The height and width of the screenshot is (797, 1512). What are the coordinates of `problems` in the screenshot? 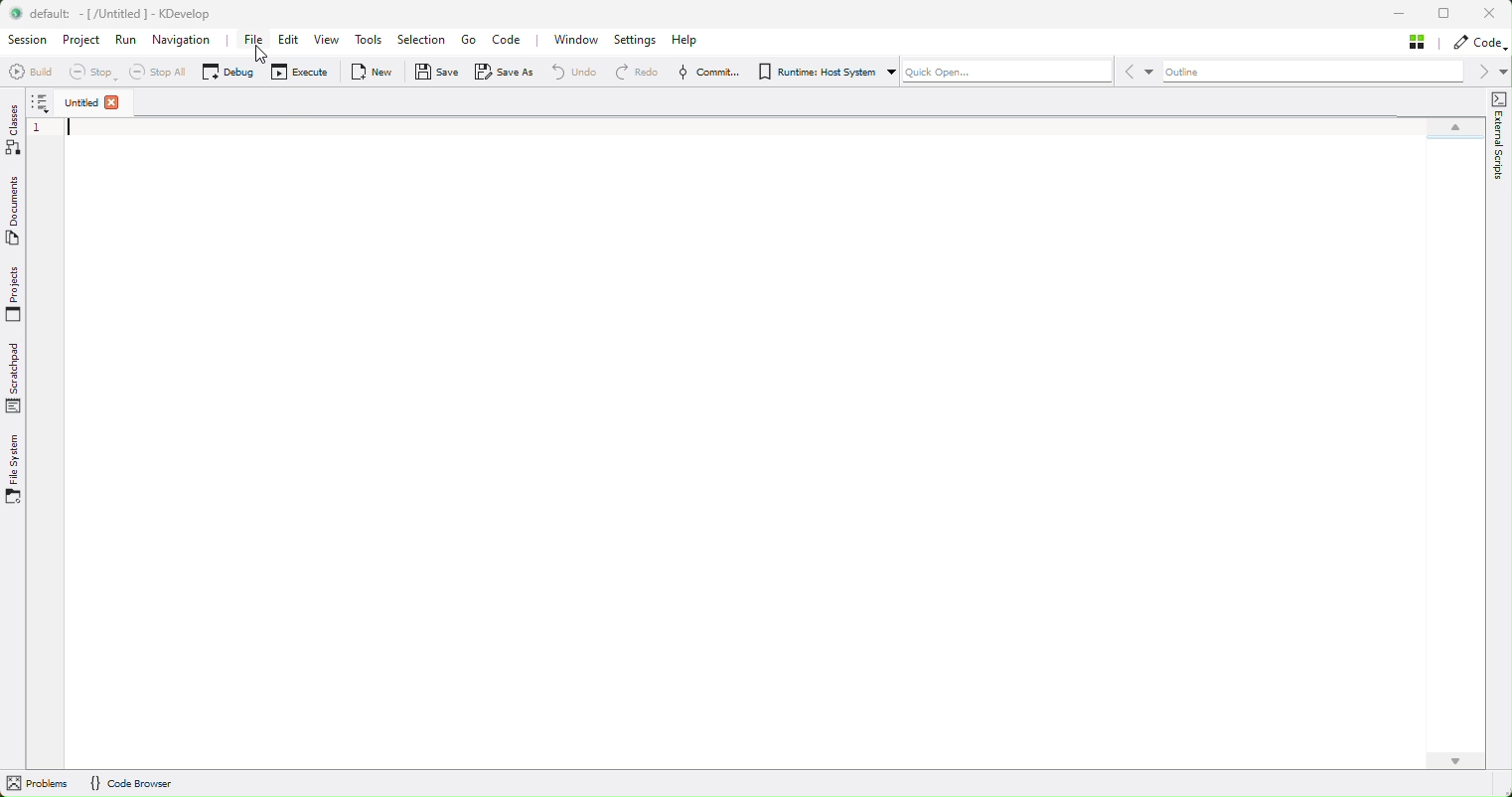 It's located at (40, 784).